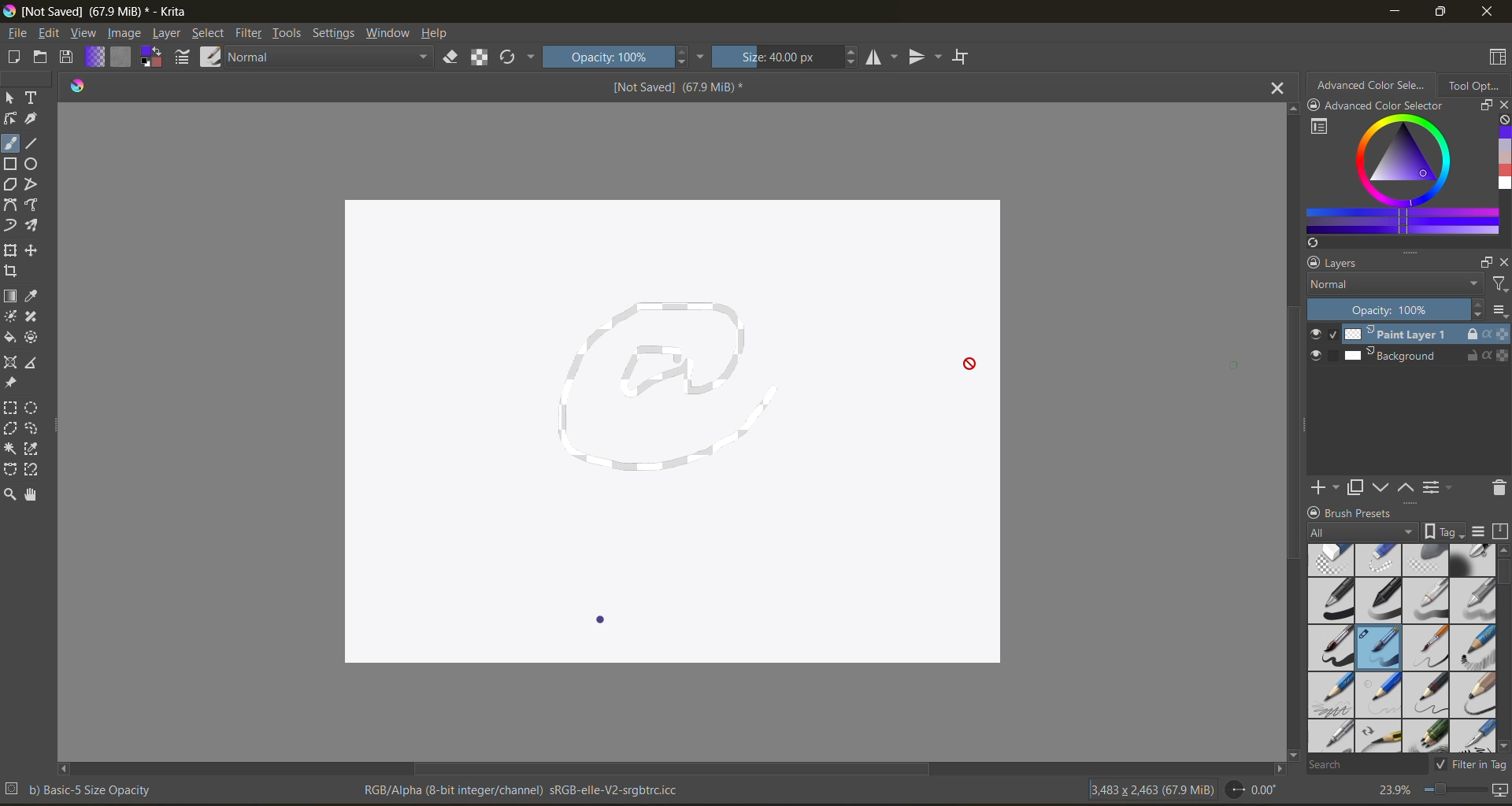 The height and width of the screenshot is (806, 1512). What do you see at coordinates (1427, 601) in the screenshot?
I see `light grey pen` at bounding box center [1427, 601].